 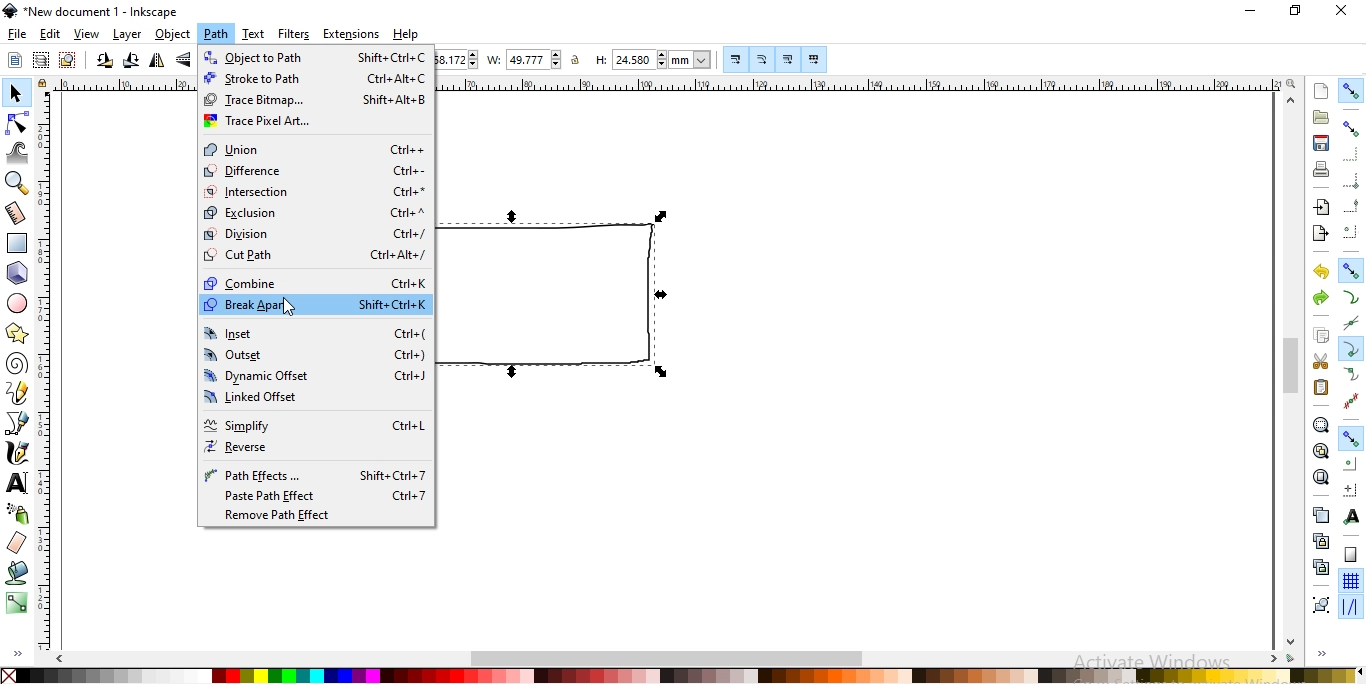 I want to click on paste path effect, so click(x=312, y=497).